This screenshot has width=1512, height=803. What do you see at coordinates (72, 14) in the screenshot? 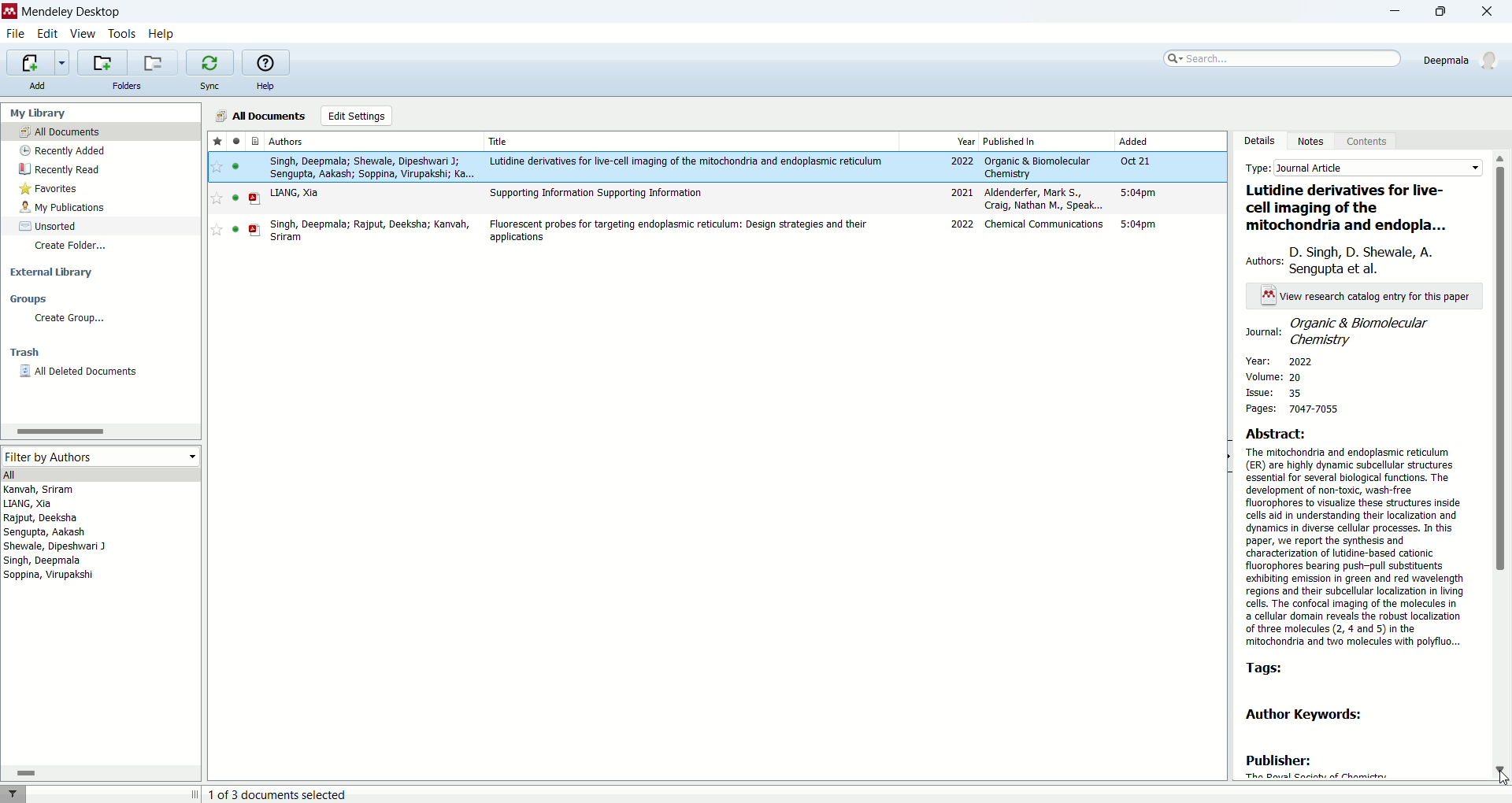
I see `mendeley desktop` at bounding box center [72, 14].